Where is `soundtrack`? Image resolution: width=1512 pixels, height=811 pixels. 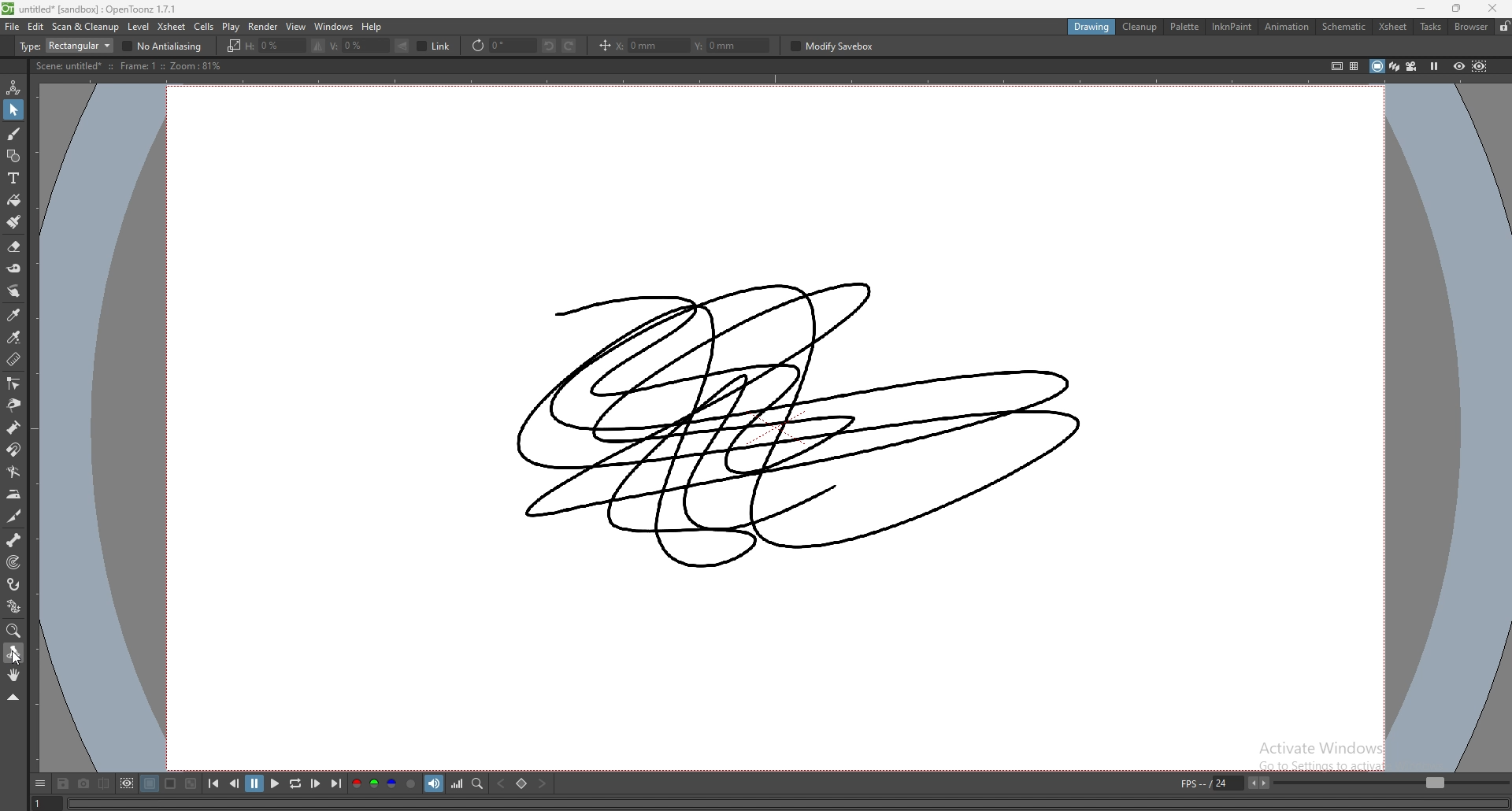 soundtrack is located at coordinates (434, 784).